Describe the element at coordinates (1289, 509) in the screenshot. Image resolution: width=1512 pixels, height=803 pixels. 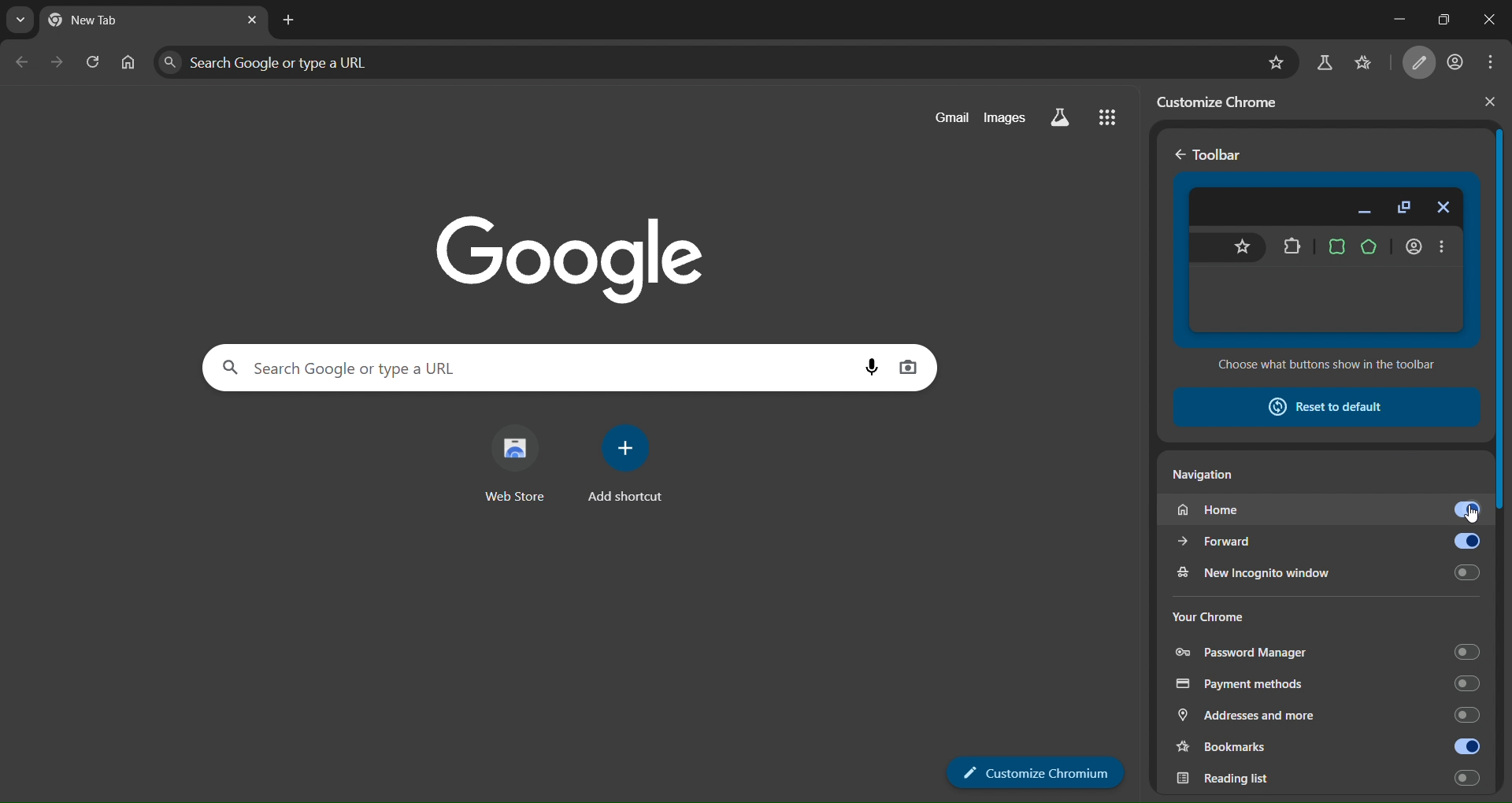
I see `home` at that location.